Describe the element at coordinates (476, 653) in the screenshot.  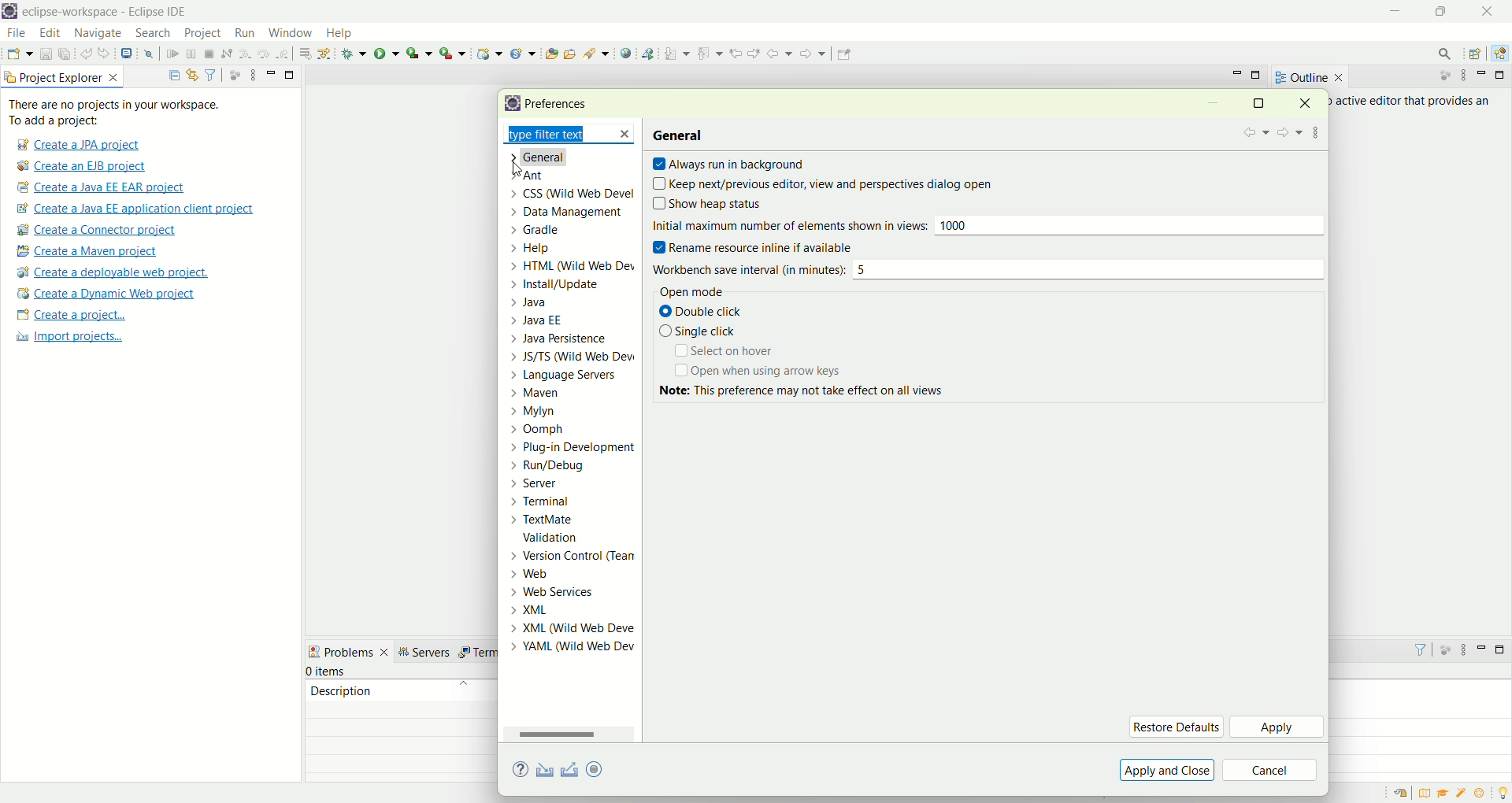
I see `term` at that location.